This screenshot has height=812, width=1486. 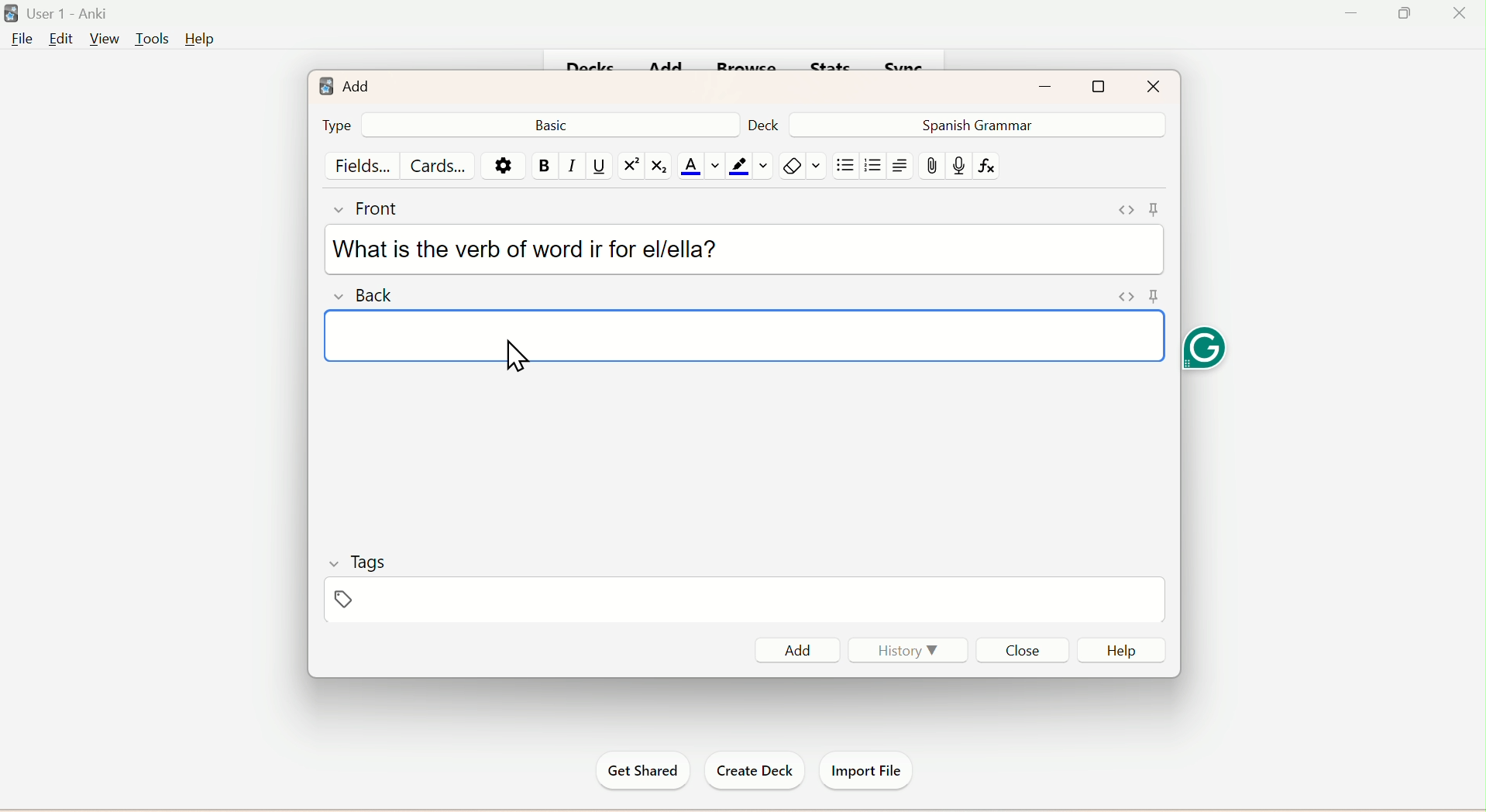 What do you see at coordinates (992, 167) in the screenshot?
I see `fx` at bounding box center [992, 167].